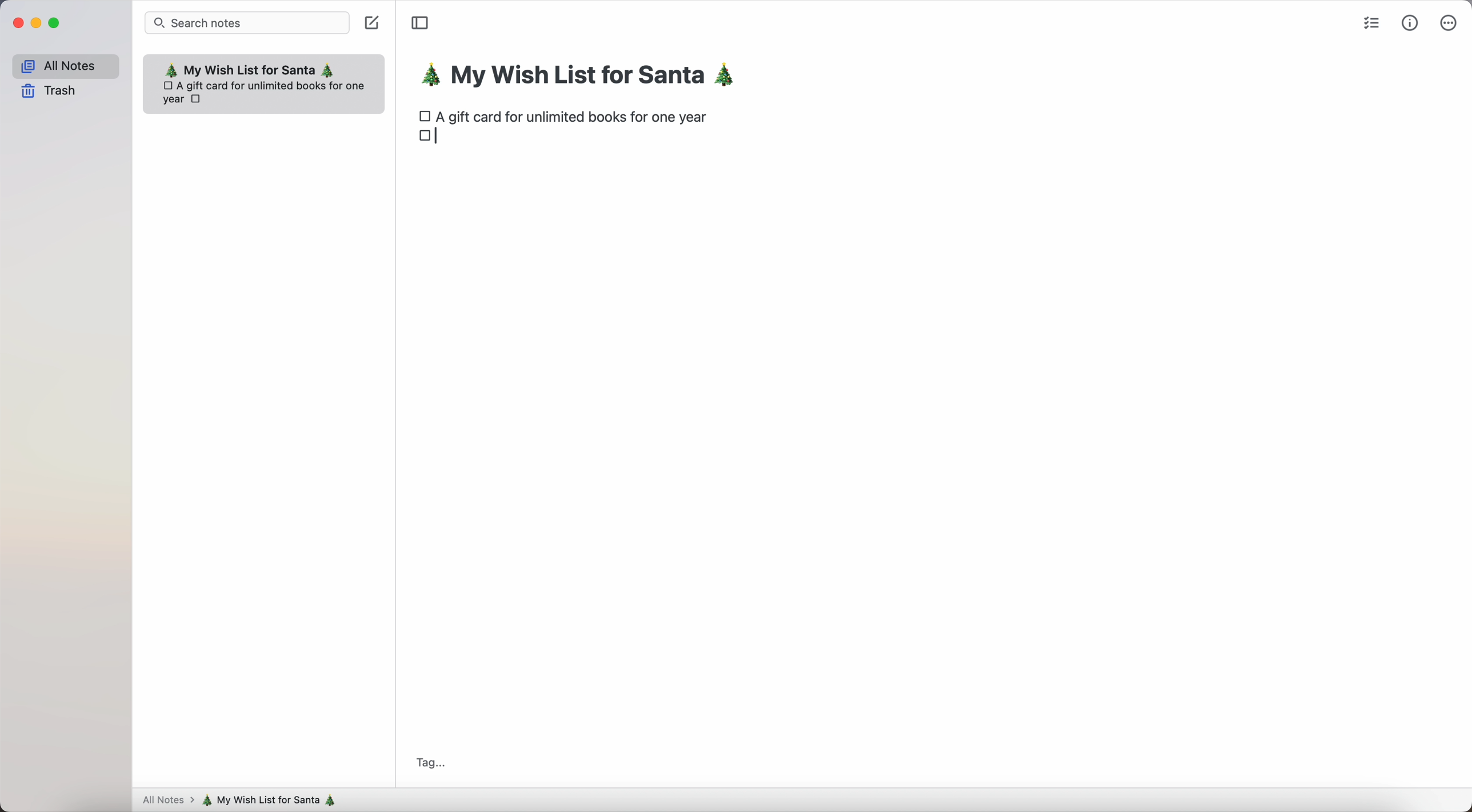  Describe the element at coordinates (1373, 24) in the screenshot. I see `check list` at that location.